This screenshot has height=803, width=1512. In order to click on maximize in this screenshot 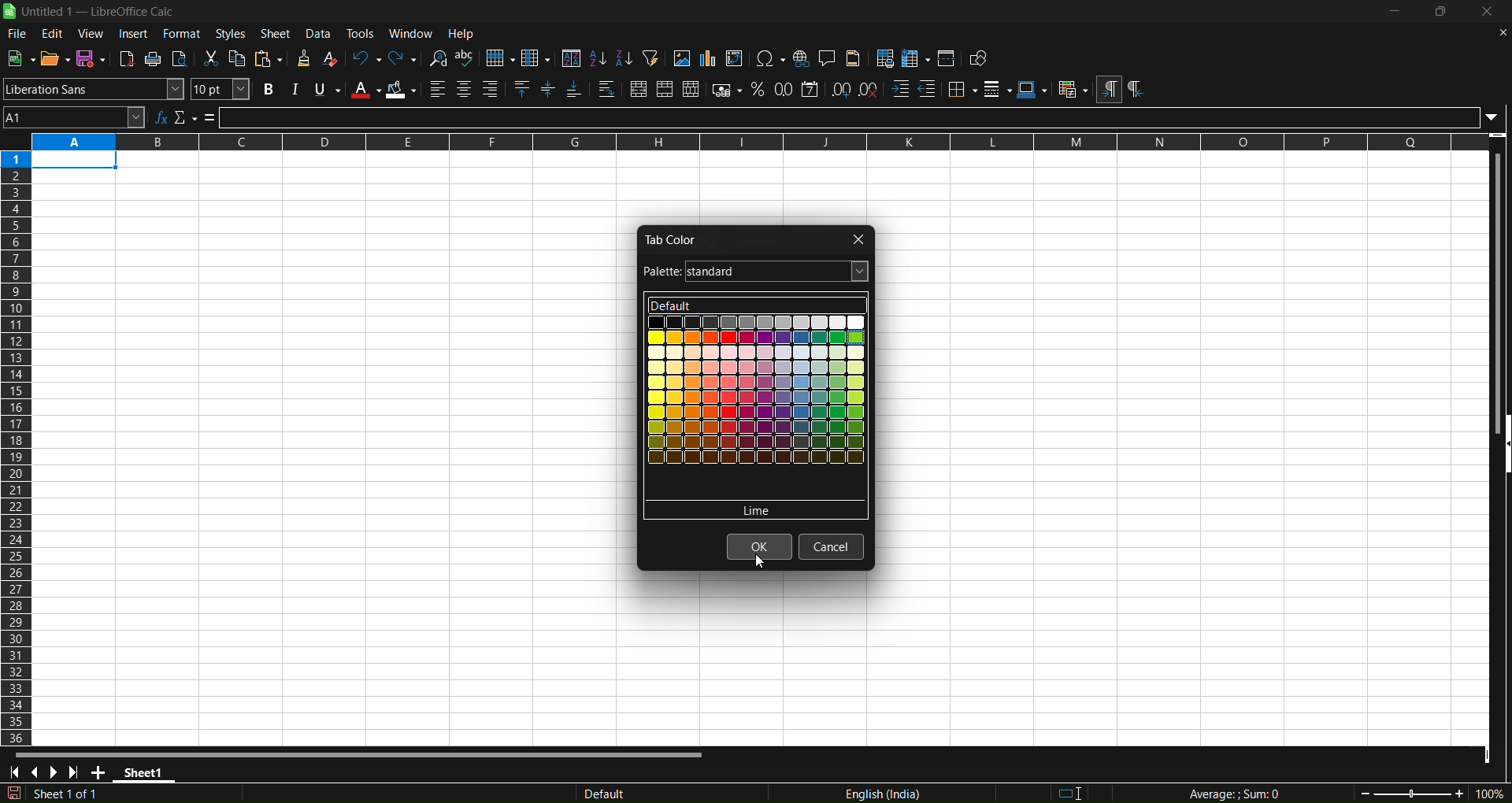, I will do `click(1444, 13)`.